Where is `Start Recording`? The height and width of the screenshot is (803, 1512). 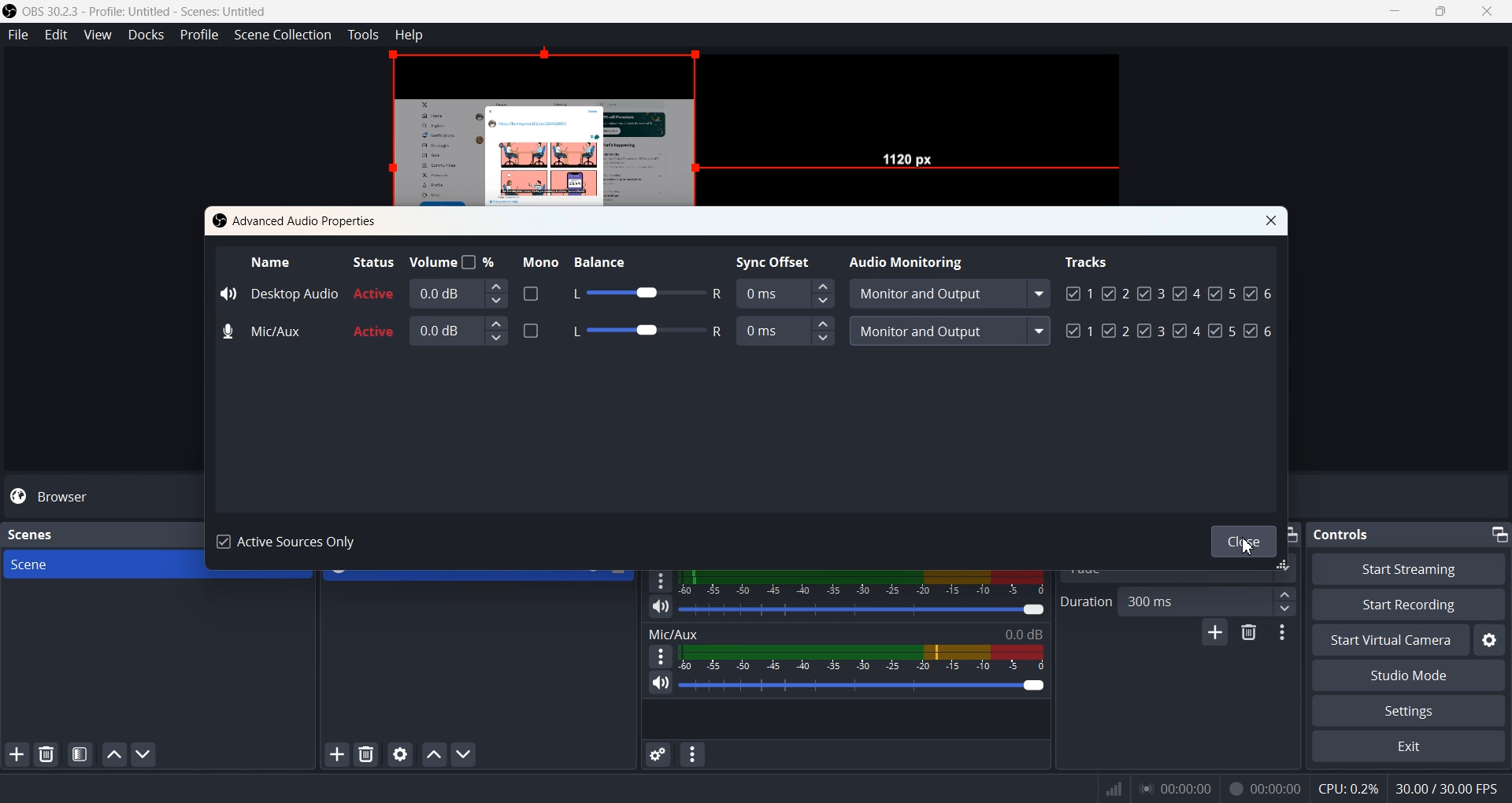 Start Recording is located at coordinates (1408, 604).